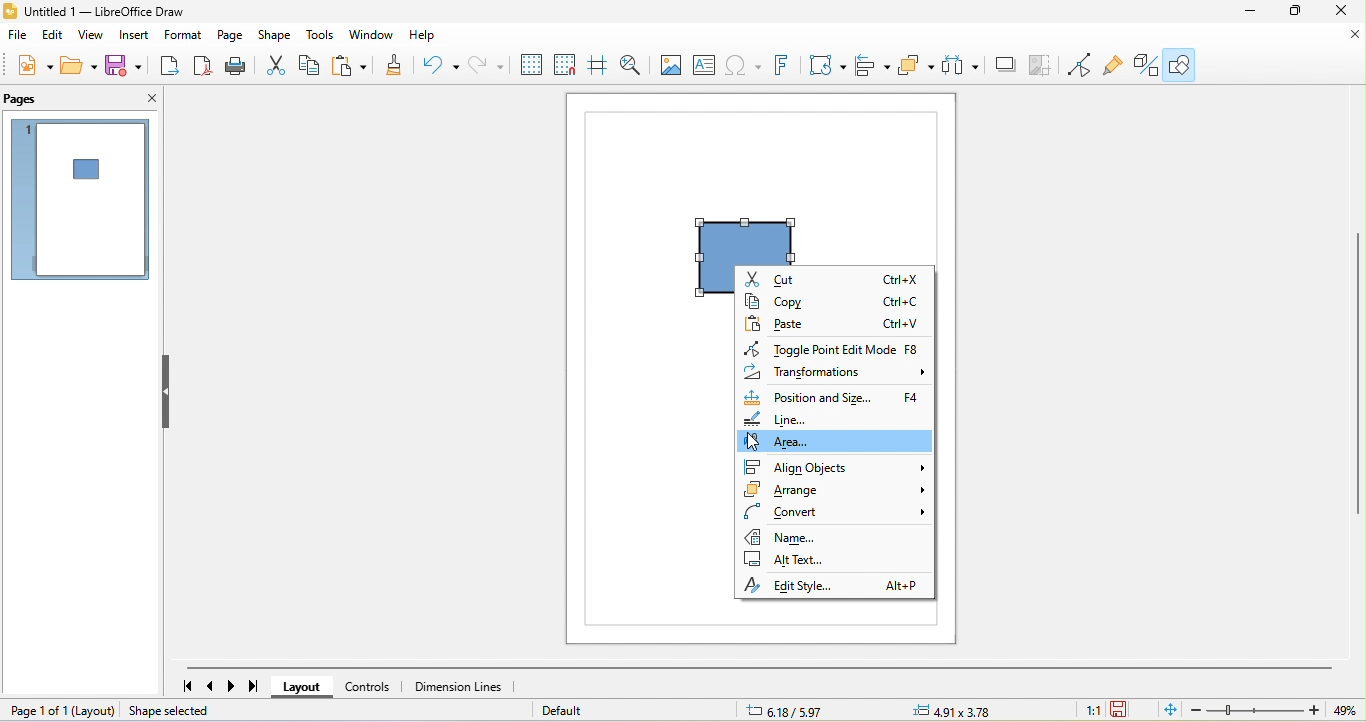  What do you see at coordinates (48, 100) in the screenshot?
I see `pages` at bounding box center [48, 100].